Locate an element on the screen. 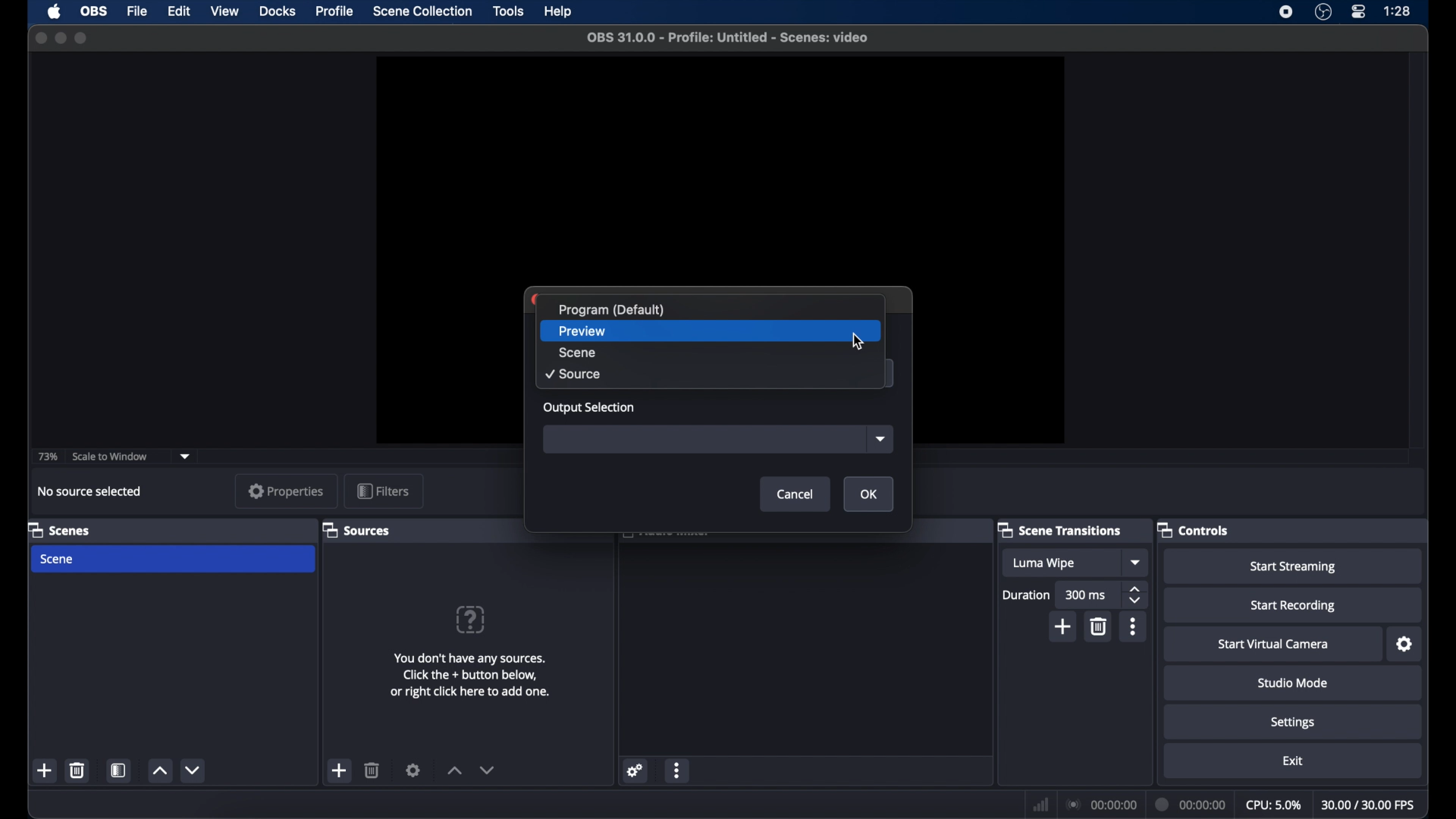 The width and height of the screenshot is (1456, 819). durations is located at coordinates (1026, 595).